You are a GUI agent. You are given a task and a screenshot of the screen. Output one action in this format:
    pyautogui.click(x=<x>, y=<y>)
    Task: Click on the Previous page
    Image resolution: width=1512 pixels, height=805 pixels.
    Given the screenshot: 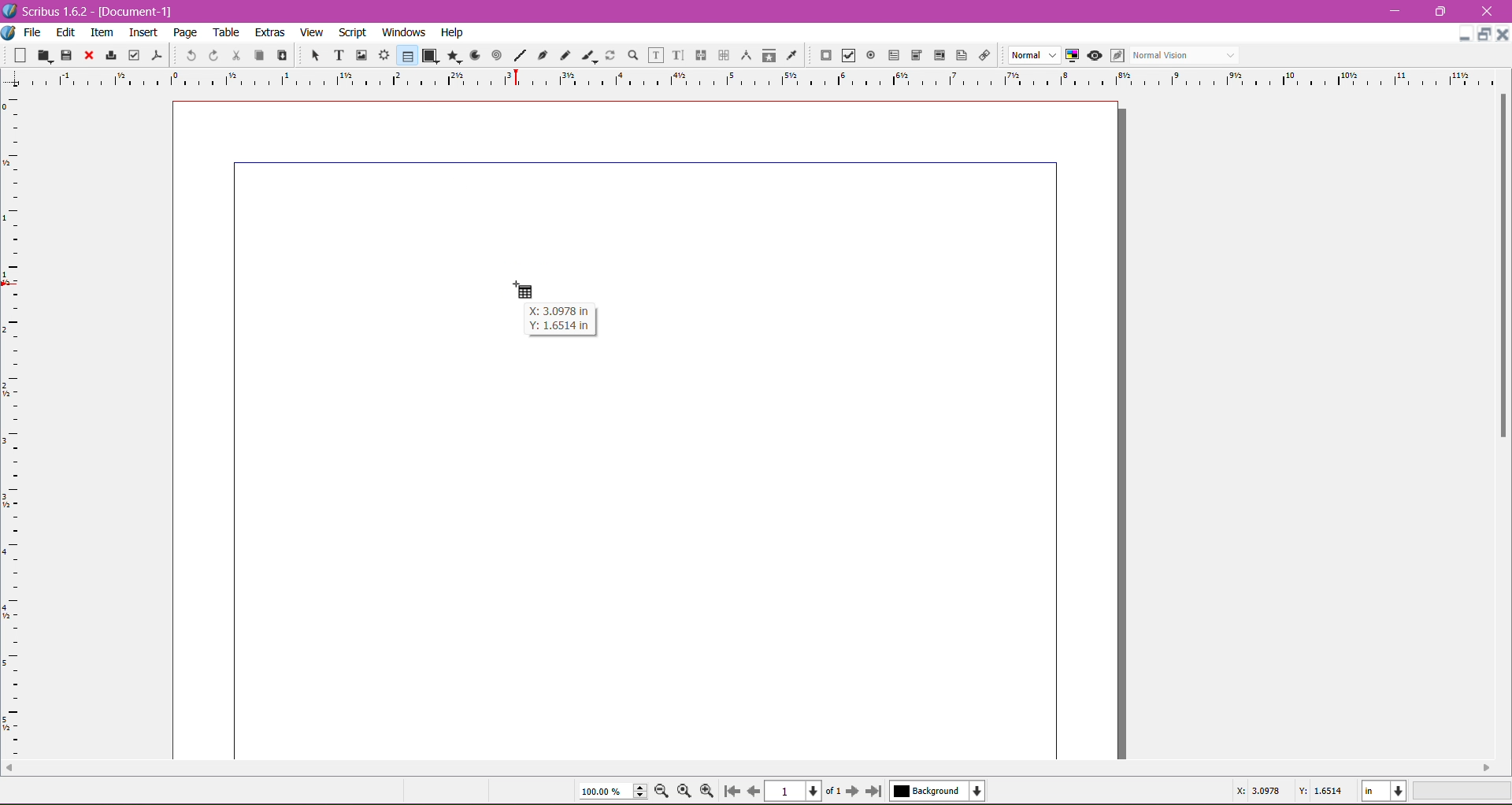 What is the action you would take?
    pyautogui.click(x=753, y=790)
    